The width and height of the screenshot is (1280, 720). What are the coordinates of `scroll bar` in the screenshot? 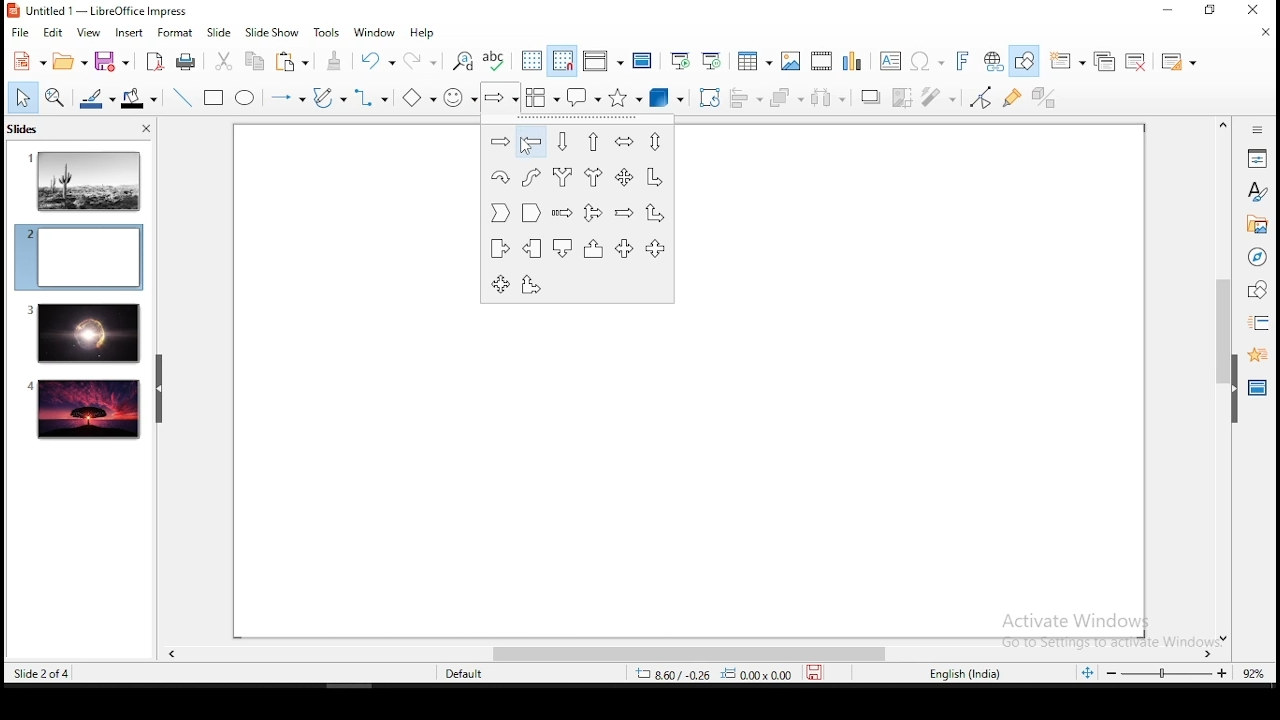 It's located at (1220, 380).